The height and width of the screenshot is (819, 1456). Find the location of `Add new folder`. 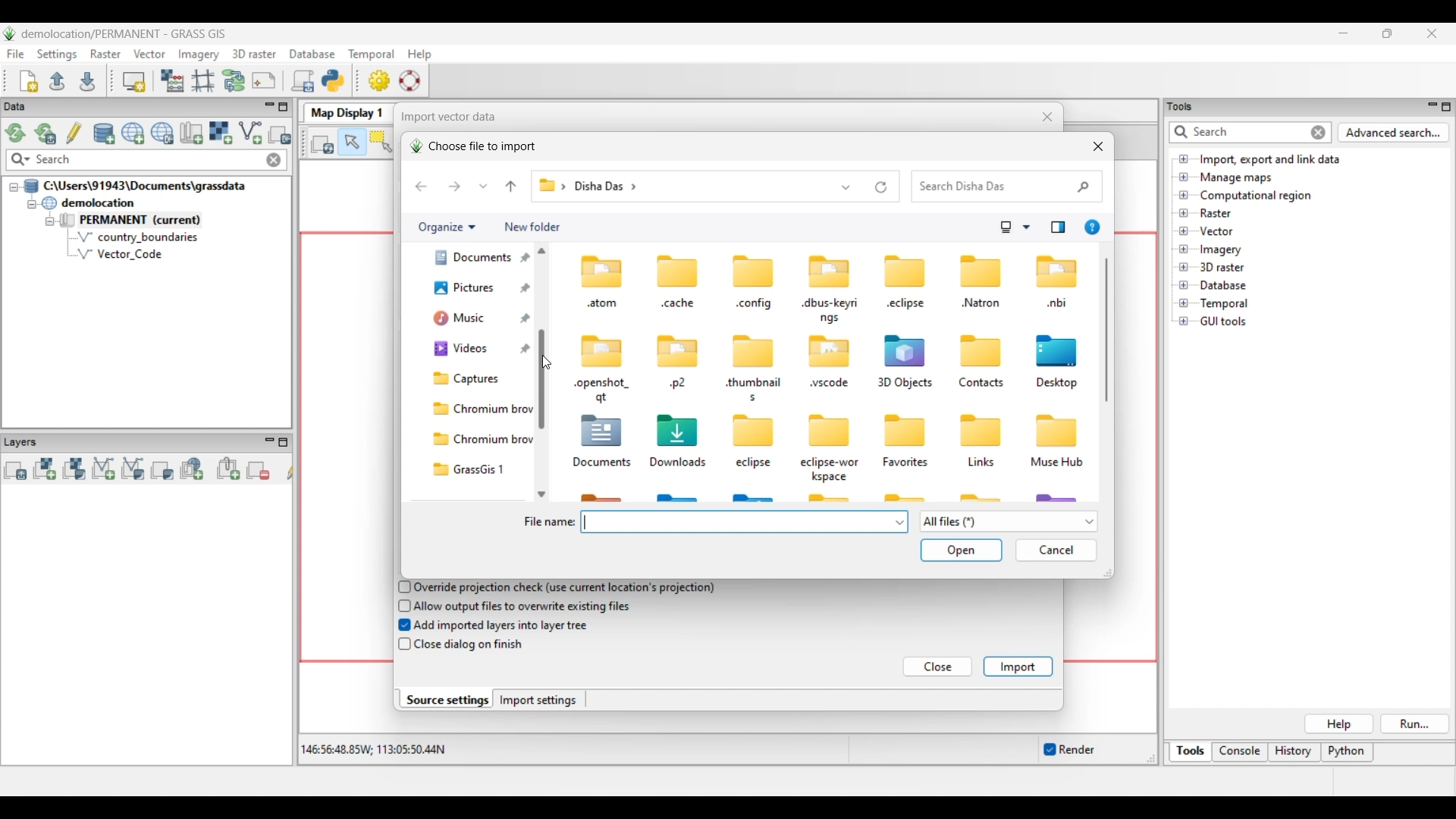

Add new folder is located at coordinates (532, 227).